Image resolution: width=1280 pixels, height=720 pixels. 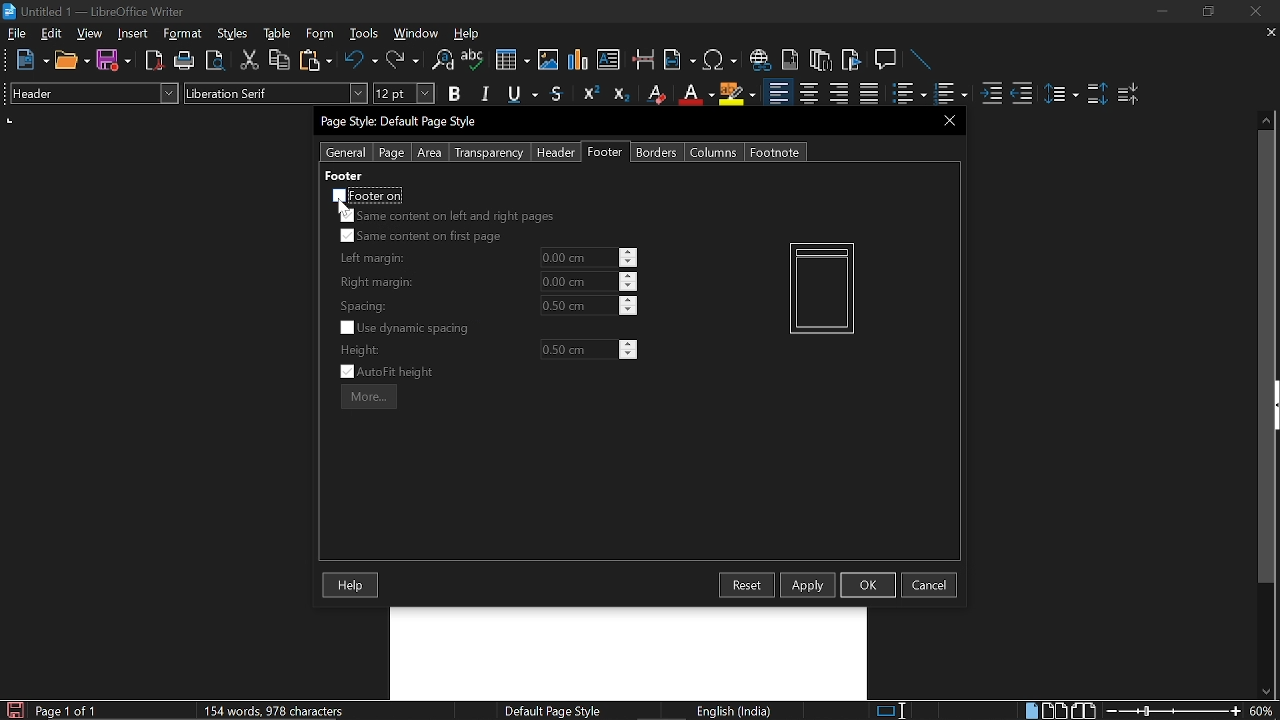 I want to click on Transparency, so click(x=487, y=153).